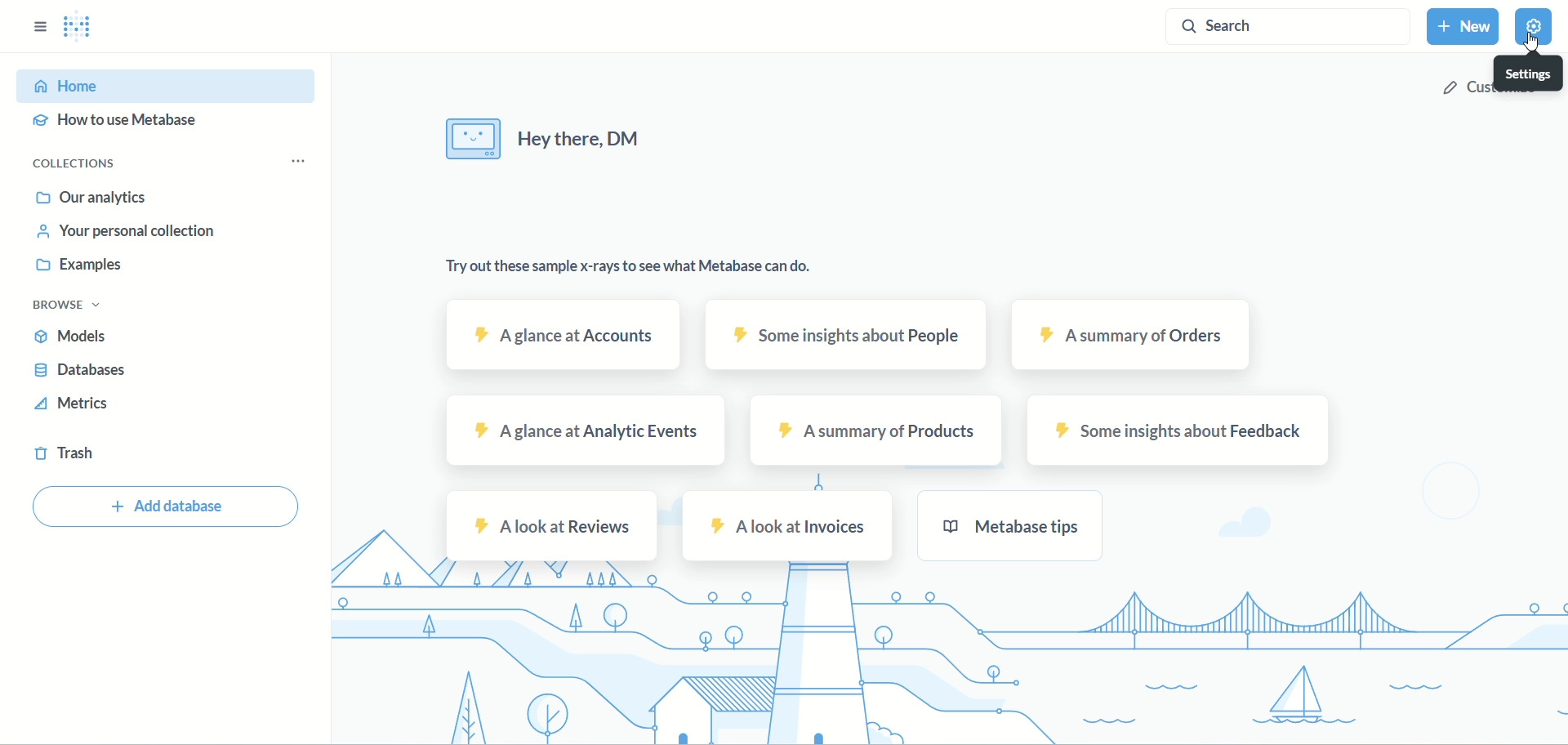 Image resolution: width=1568 pixels, height=745 pixels. I want to click on metabase tips, so click(1012, 528).